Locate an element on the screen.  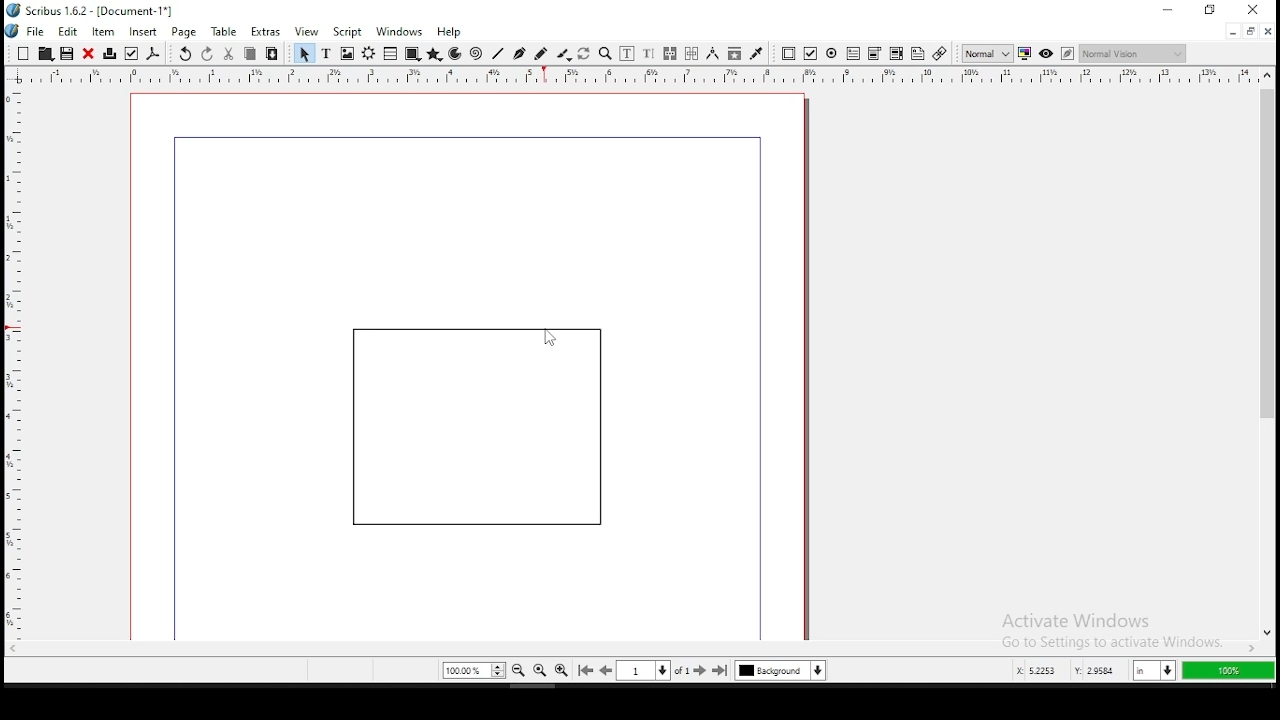
scrollbar is located at coordinates (807, 366).